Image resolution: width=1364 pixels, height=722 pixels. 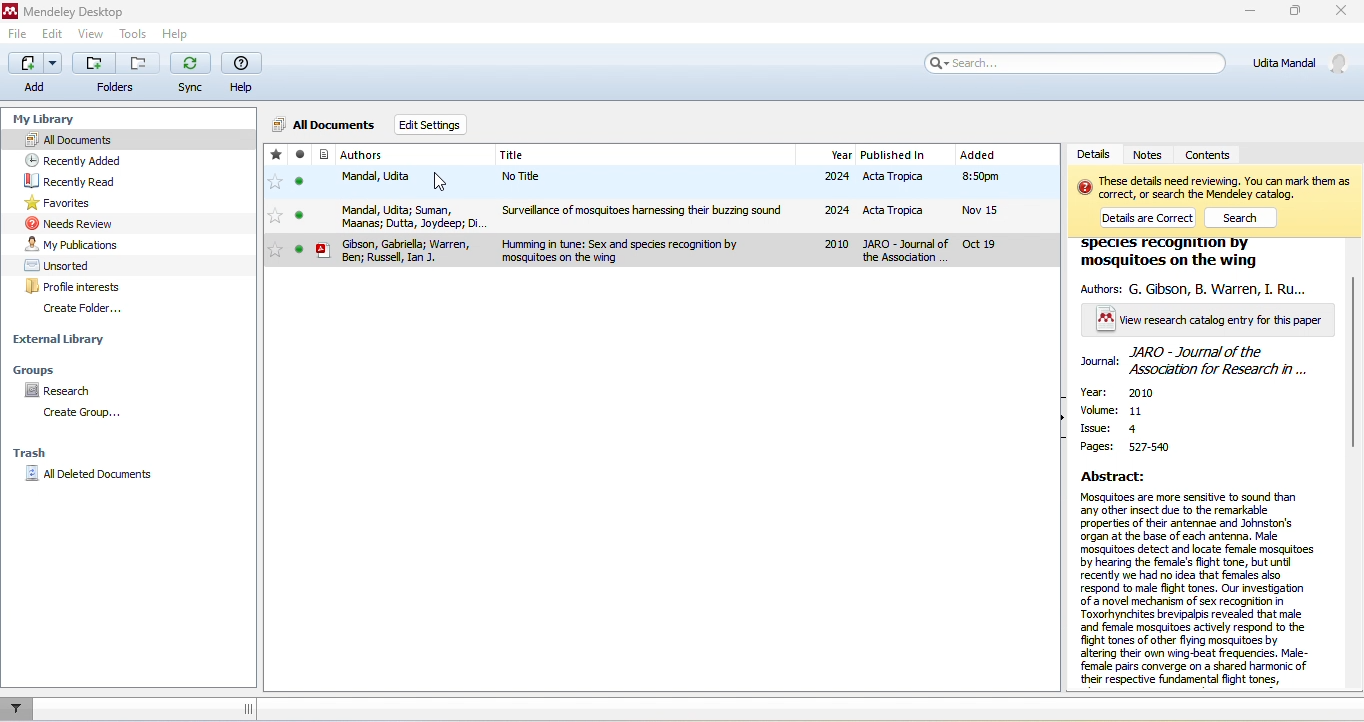 What do you see at coordinates (92, 62) in the screenshot?
I see `add` at bounding box center [92, 62].